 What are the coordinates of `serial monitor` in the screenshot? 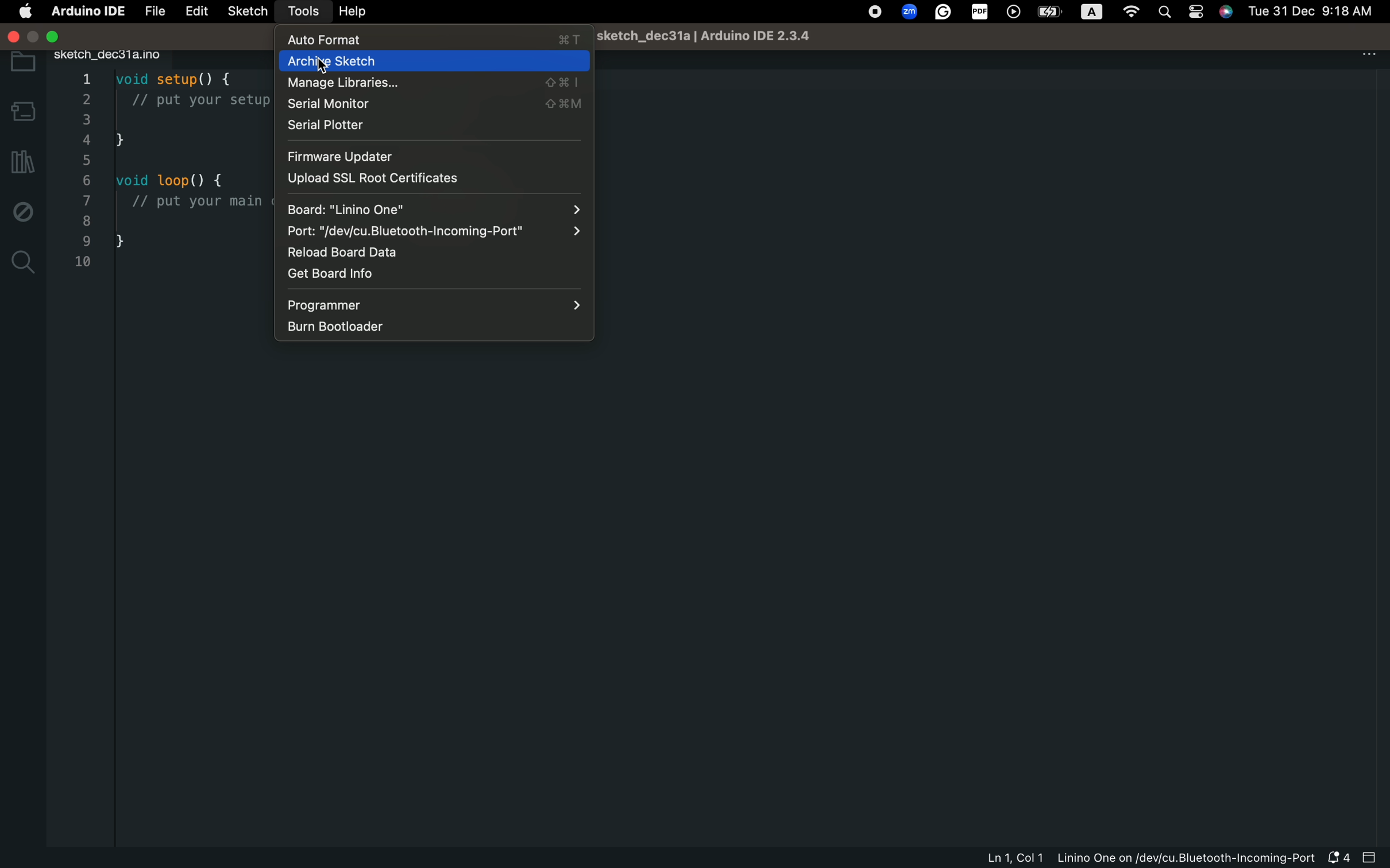 It's located at (435, 104).